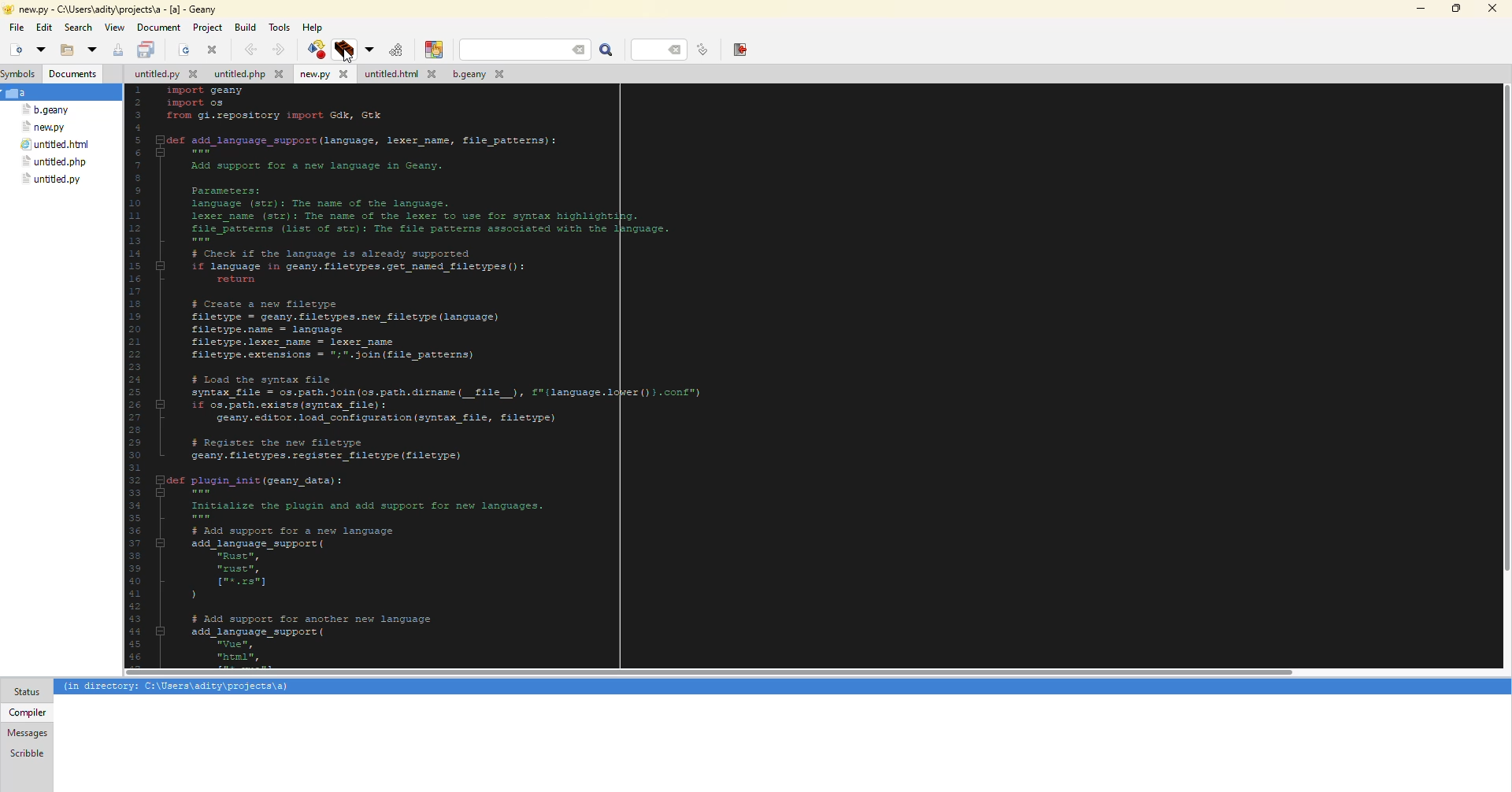  I want to click on tools, so click(280, 27).